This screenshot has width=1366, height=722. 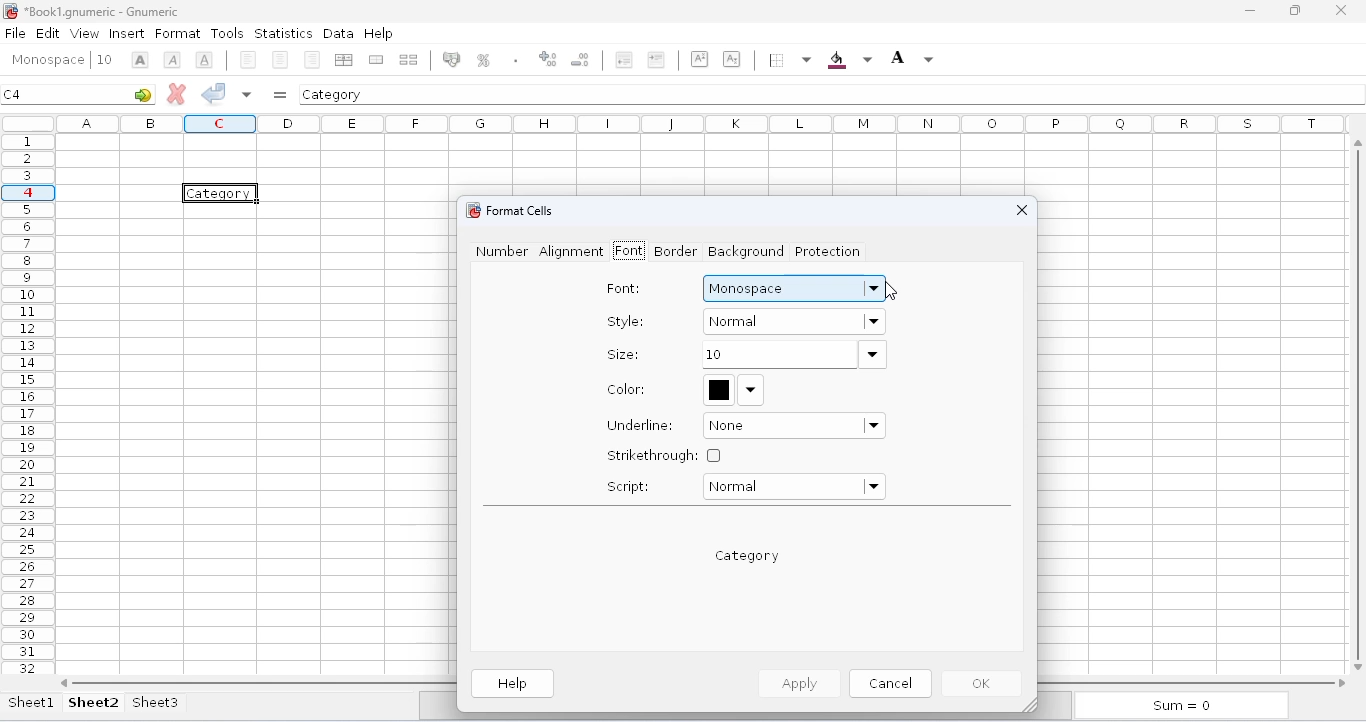 I want to click on decrease the number of decimals displayed, so click(x=581, y=59).